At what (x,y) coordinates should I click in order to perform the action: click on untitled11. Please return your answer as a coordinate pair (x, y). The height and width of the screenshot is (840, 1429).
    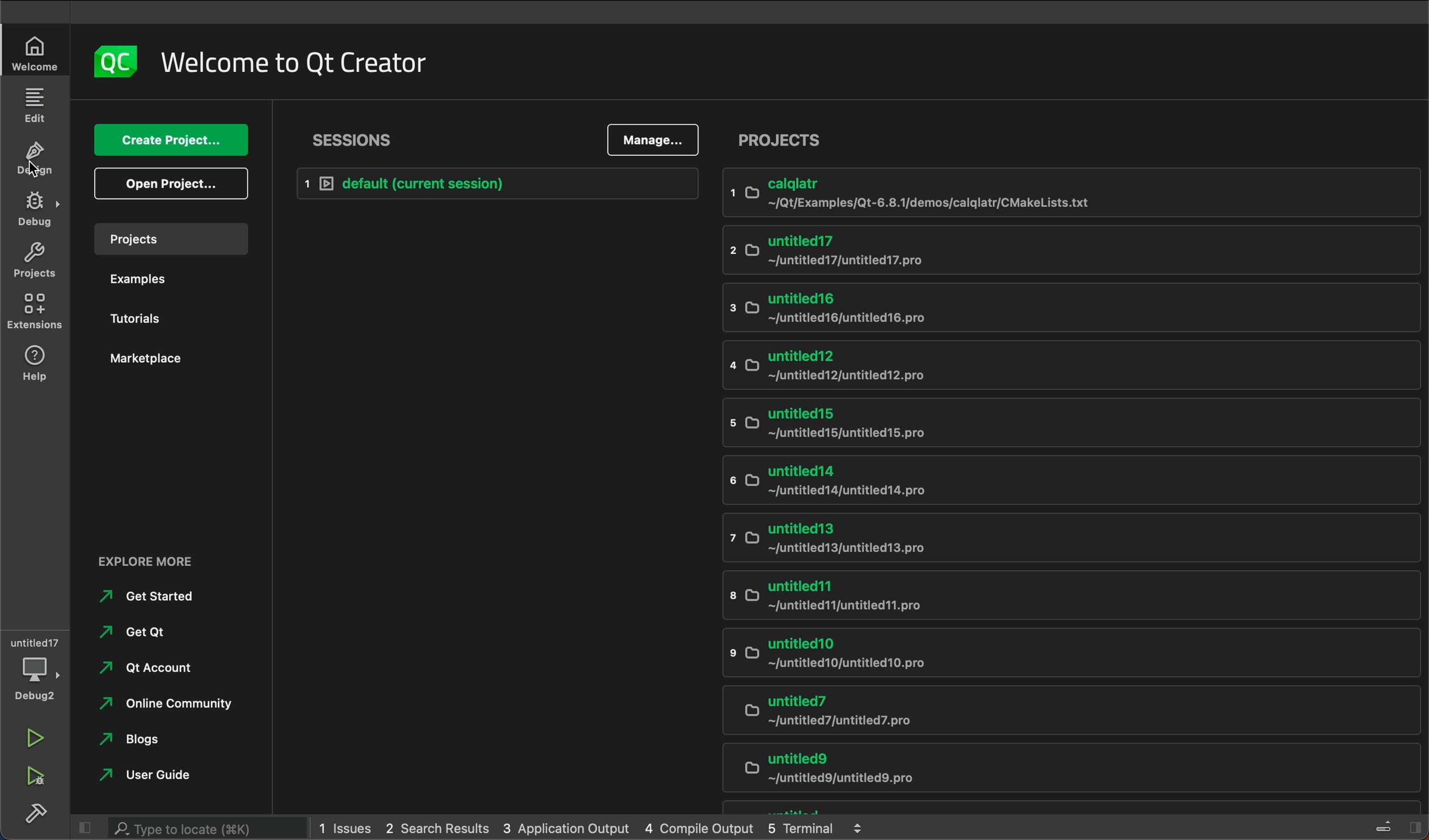
    Looking at the image, I should click on (1040, 596).